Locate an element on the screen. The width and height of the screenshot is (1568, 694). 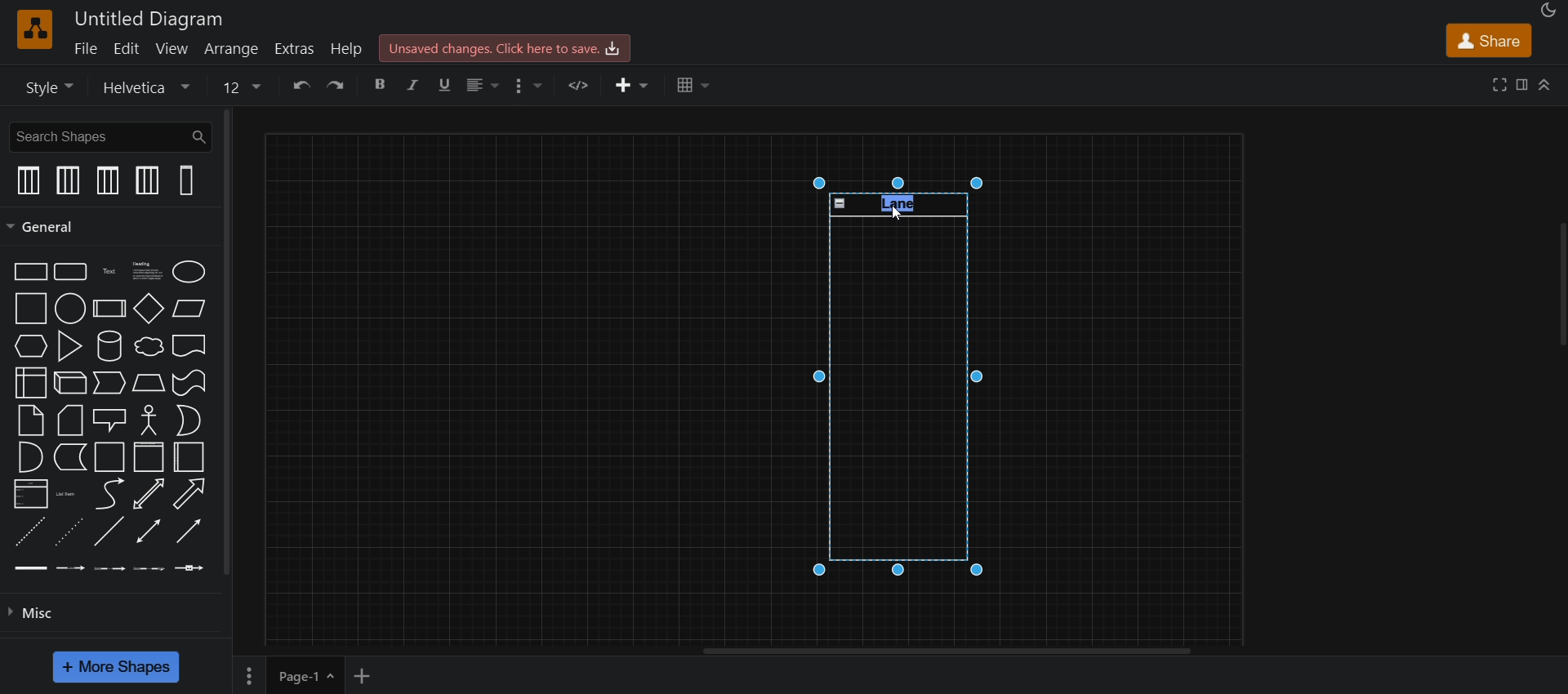
diamond is located at coordinates (149, 309).